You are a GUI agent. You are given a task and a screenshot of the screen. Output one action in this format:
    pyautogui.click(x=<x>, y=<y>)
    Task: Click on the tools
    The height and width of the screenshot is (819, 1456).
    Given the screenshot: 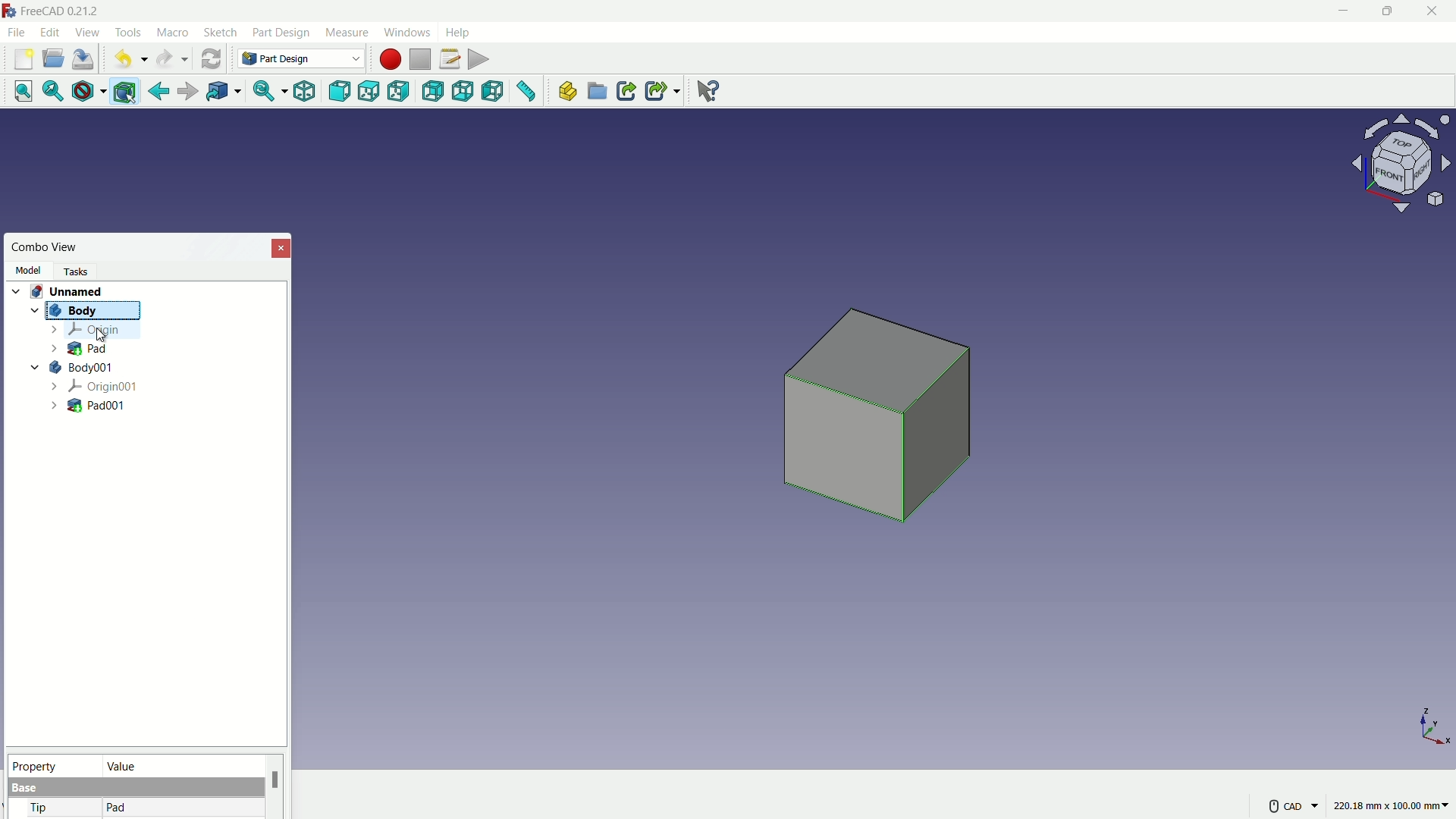 What is the action you would take?
    pyautogui.click(x=130, y=33)
    